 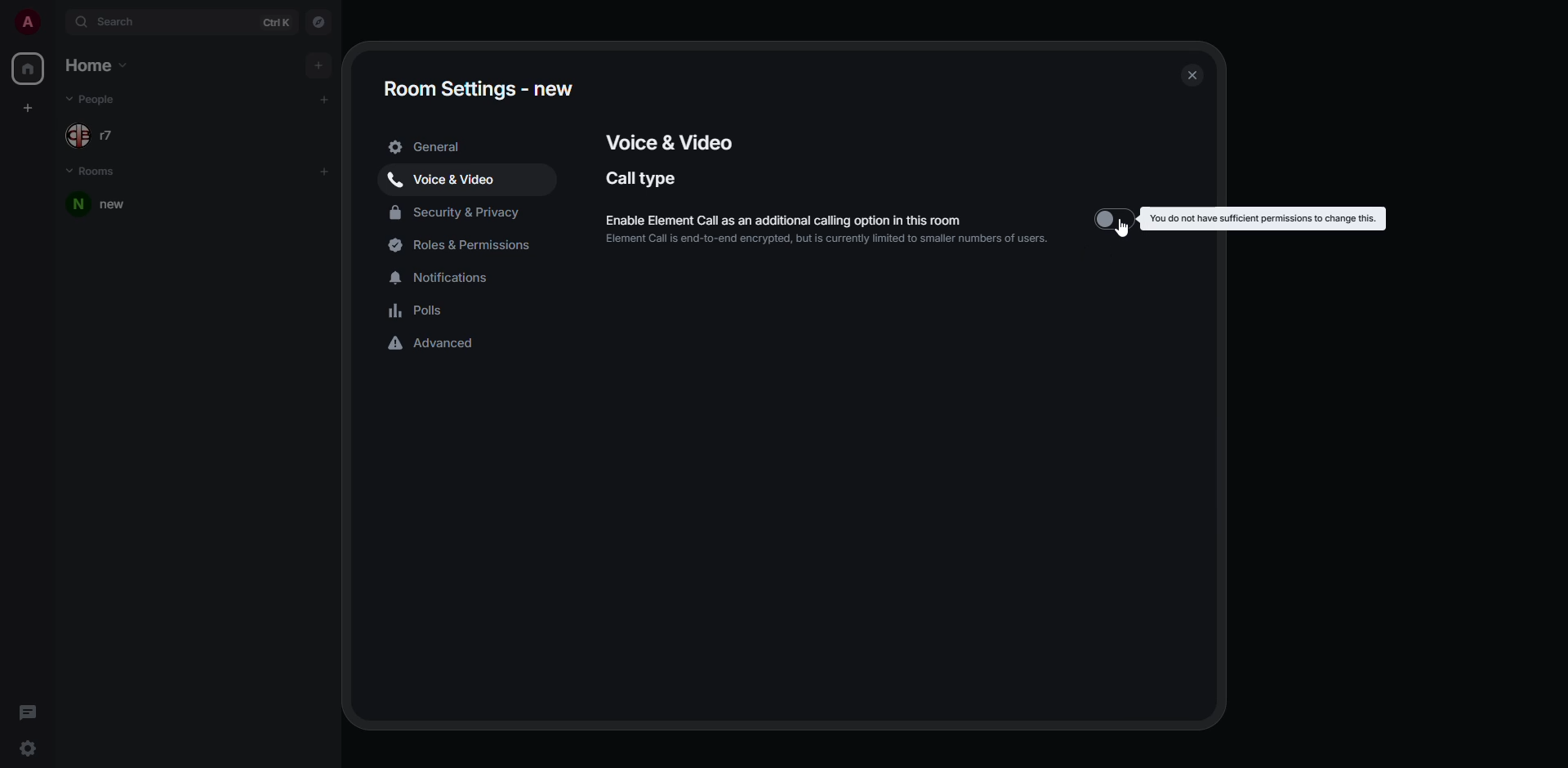 I want to click on room options, so click(x=304, y=204).